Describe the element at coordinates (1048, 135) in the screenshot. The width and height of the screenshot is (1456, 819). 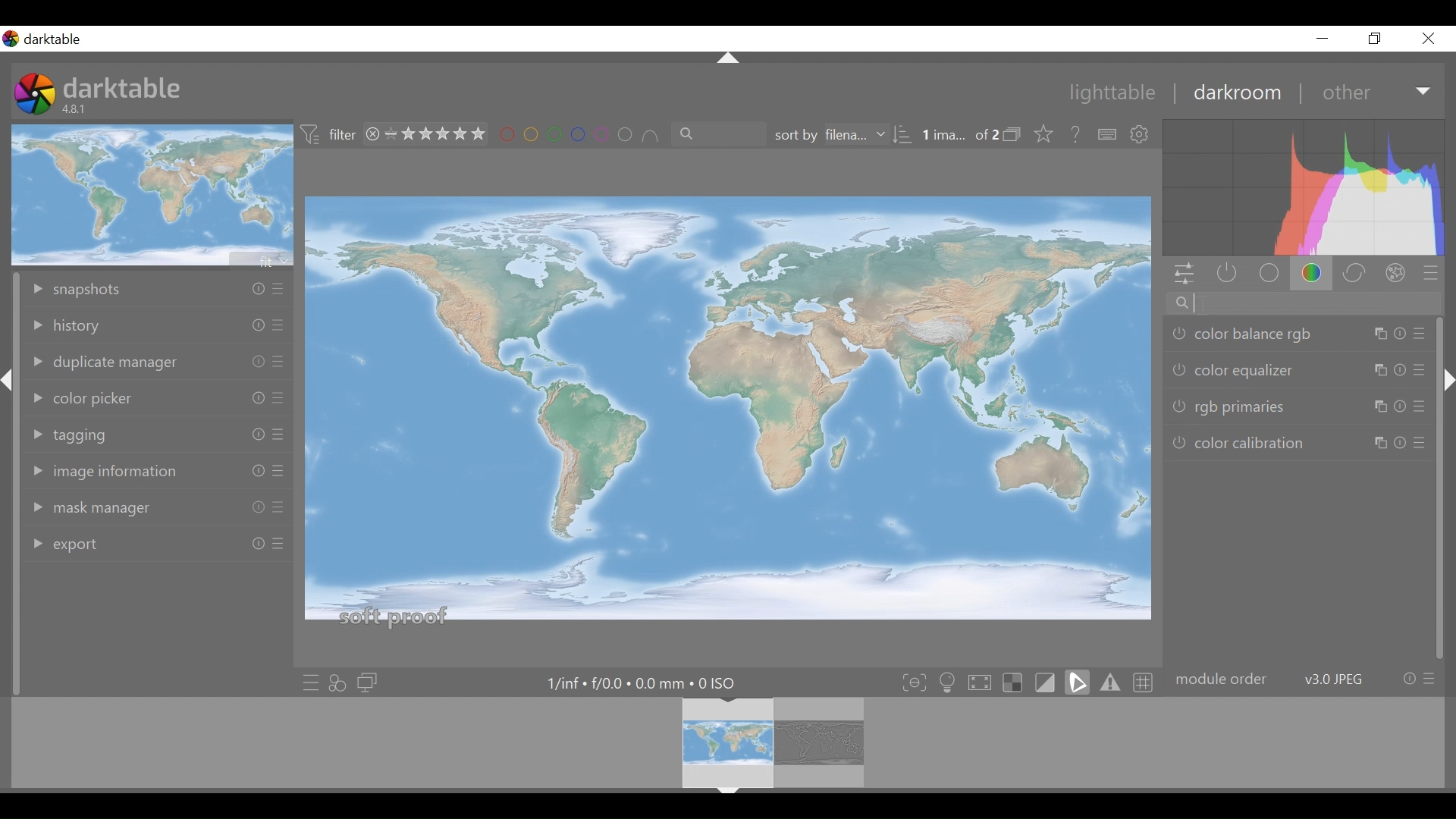
I see `click to change the type of overlay` at that location.